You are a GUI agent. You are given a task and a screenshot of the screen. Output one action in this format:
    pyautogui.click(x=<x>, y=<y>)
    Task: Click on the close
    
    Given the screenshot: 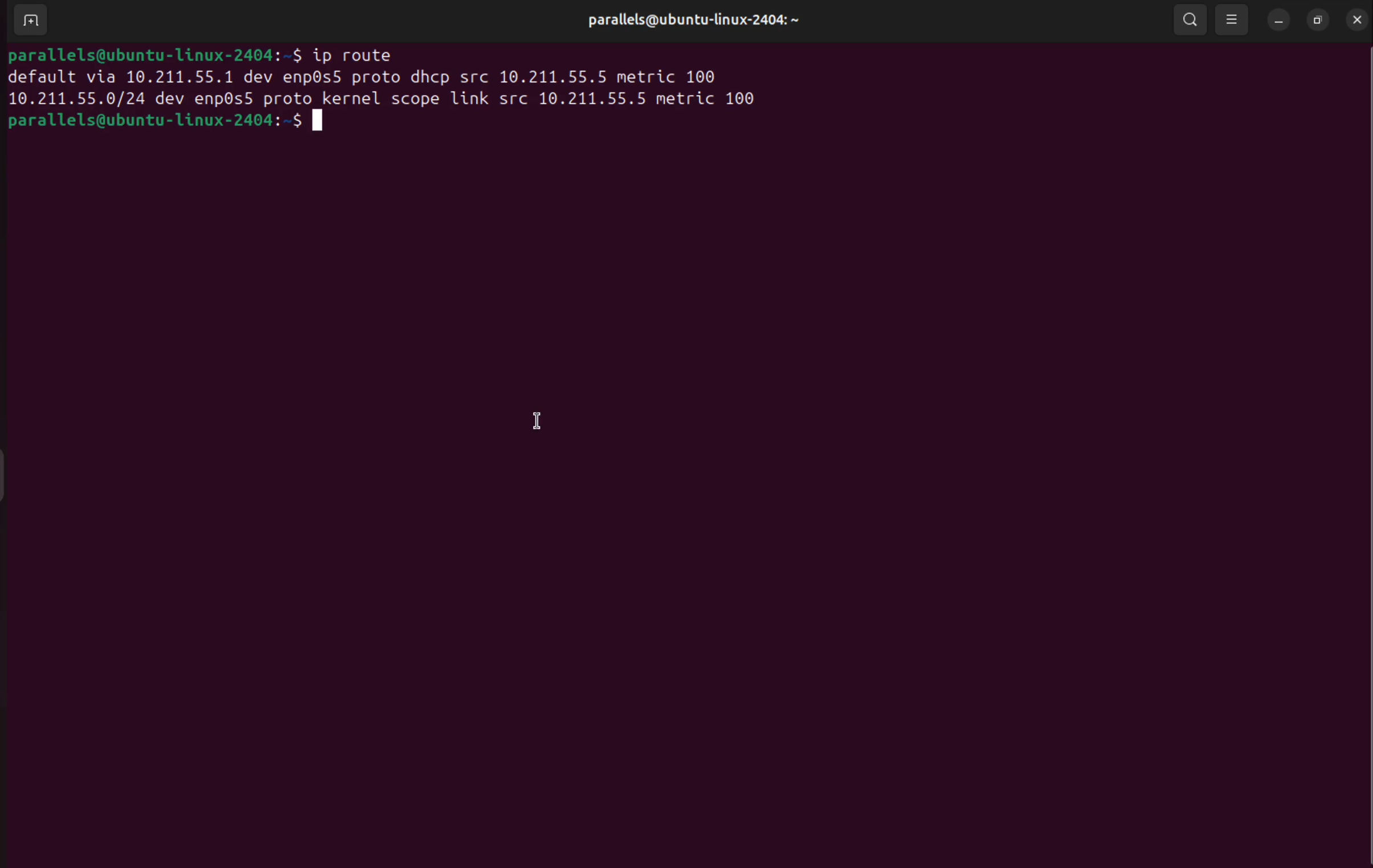 What is the action you would take?
    pyautogui.click(x=1359, y=20)
    